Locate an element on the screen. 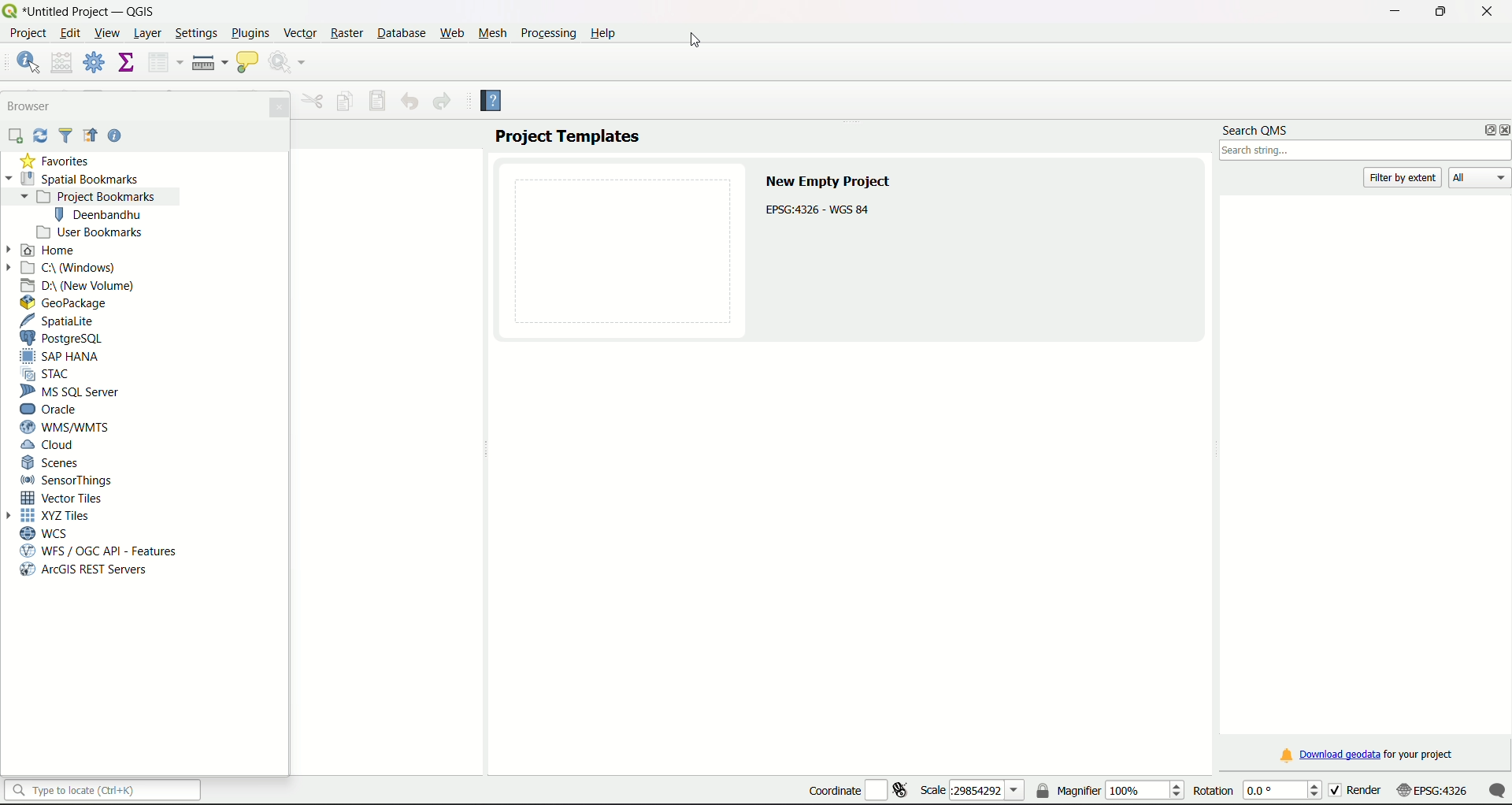 The width and height of the screenshot is (1512, 805). coordinate is located at coordinates (857, 787).